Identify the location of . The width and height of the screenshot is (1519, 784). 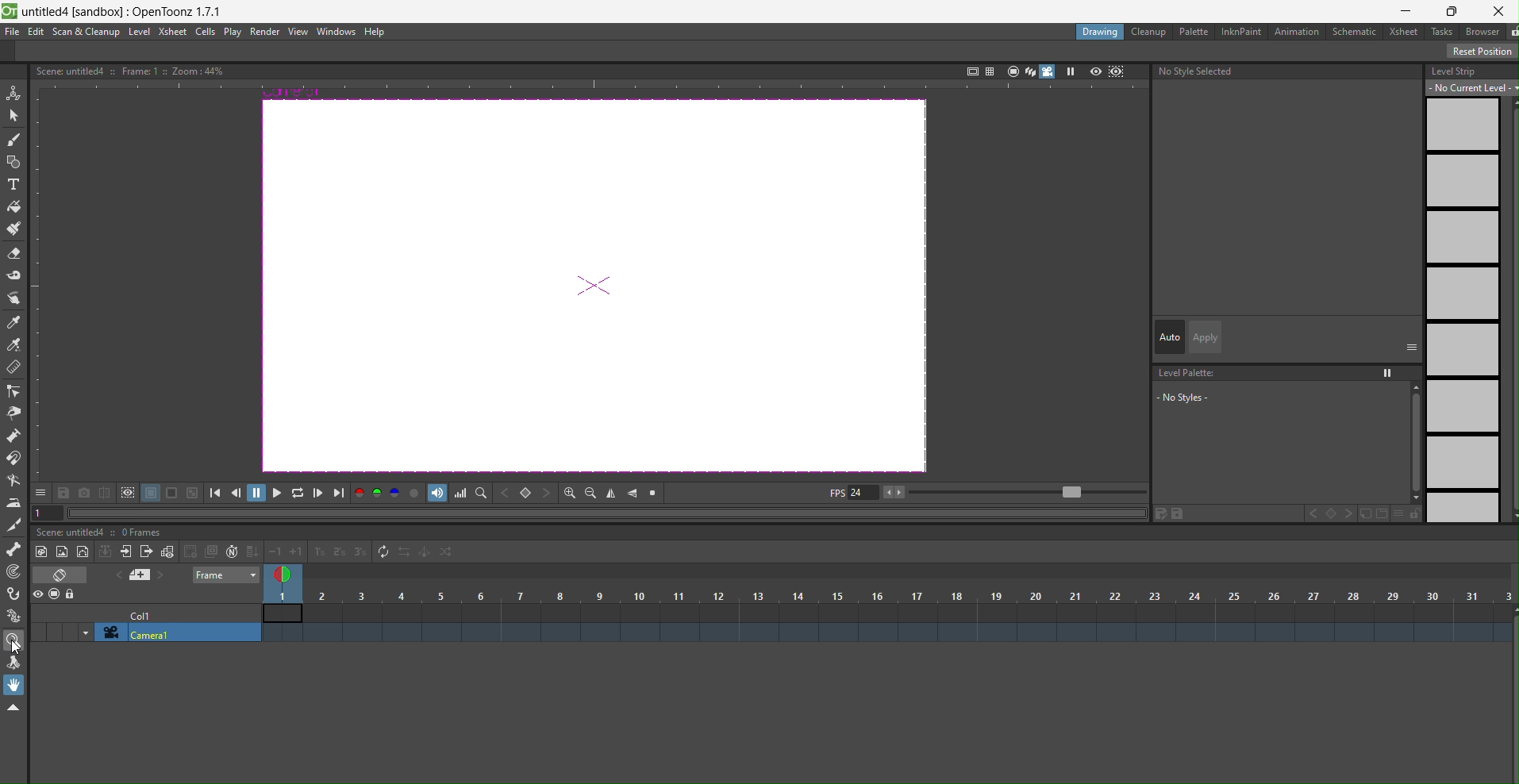
(483, 492).